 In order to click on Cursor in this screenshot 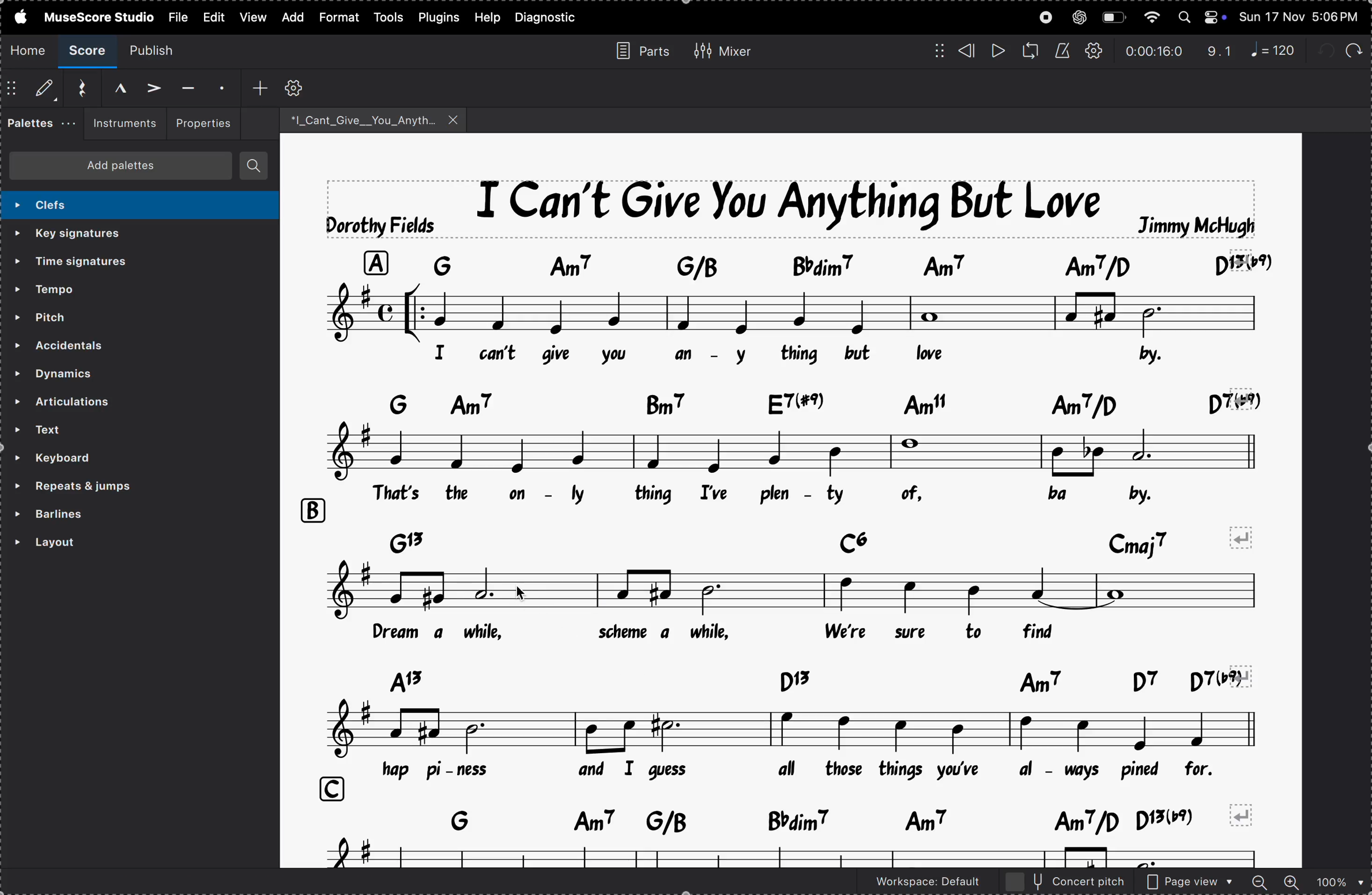, I will do `click(522, 592)`.